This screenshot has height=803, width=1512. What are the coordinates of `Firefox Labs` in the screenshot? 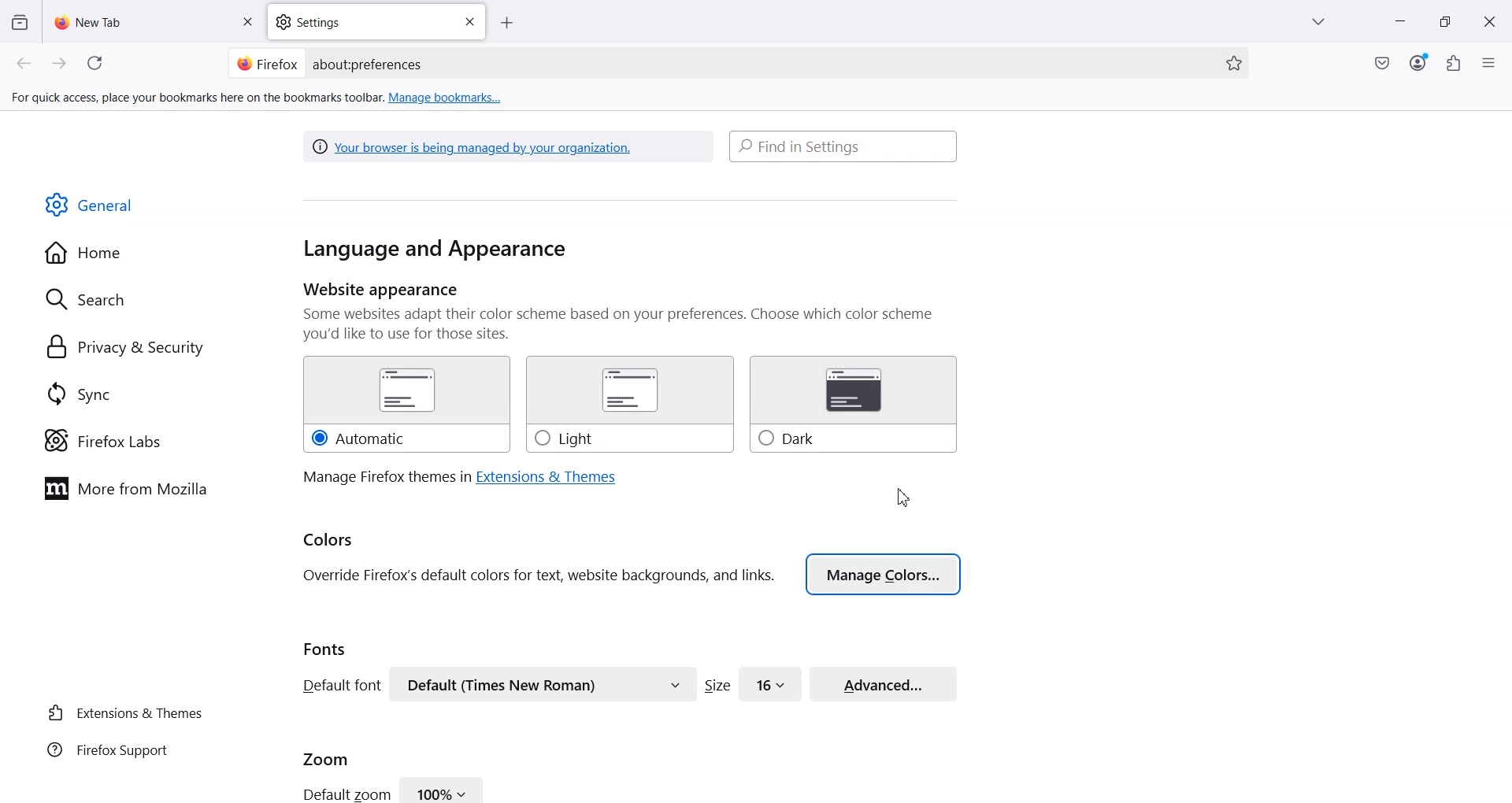 It's located at (102, 441).